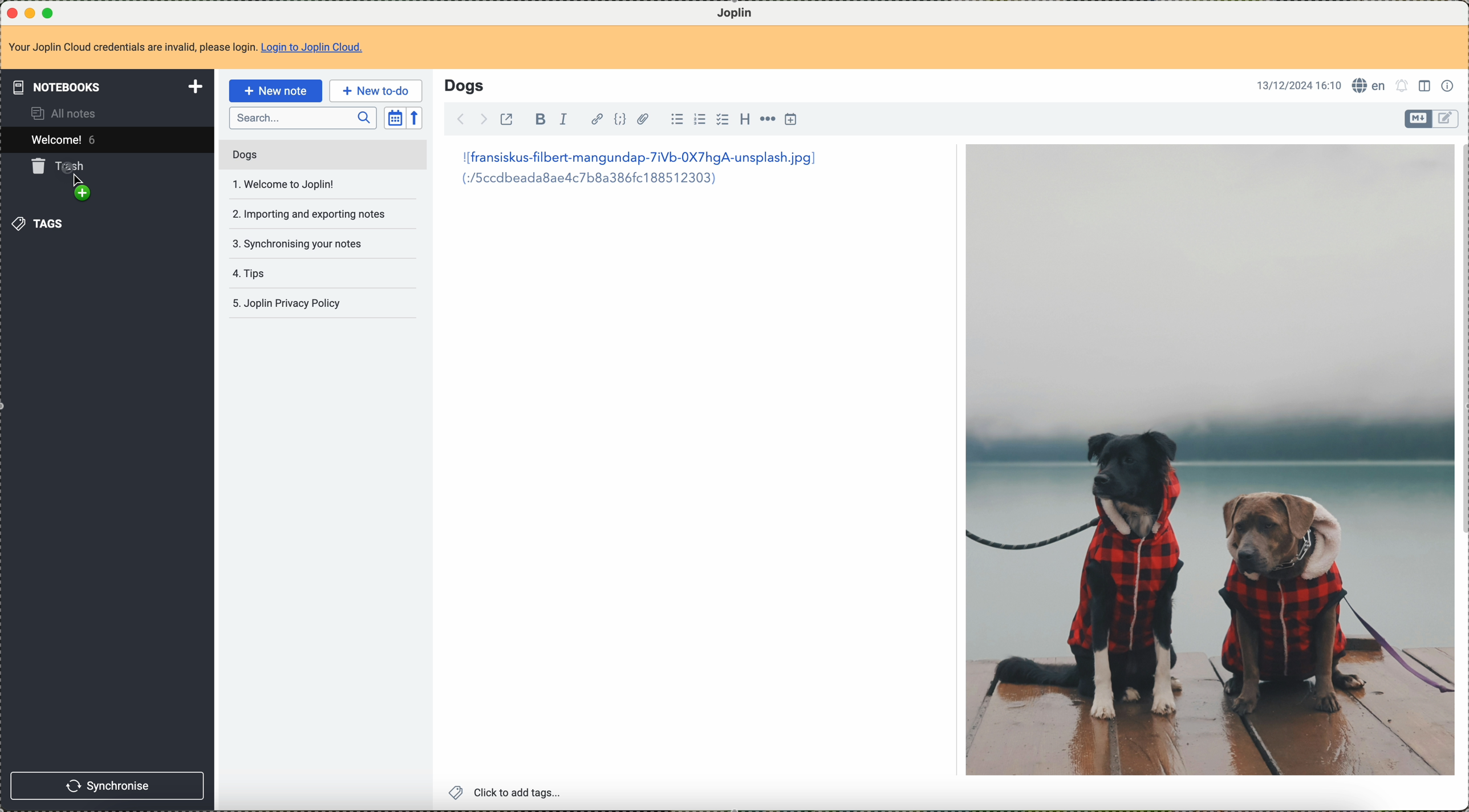 The image size is (1469, 812). What do you see at coordinates (1418, 119) in the screenshot?
I see `toggle editor` at bounding box center [1418, 119].